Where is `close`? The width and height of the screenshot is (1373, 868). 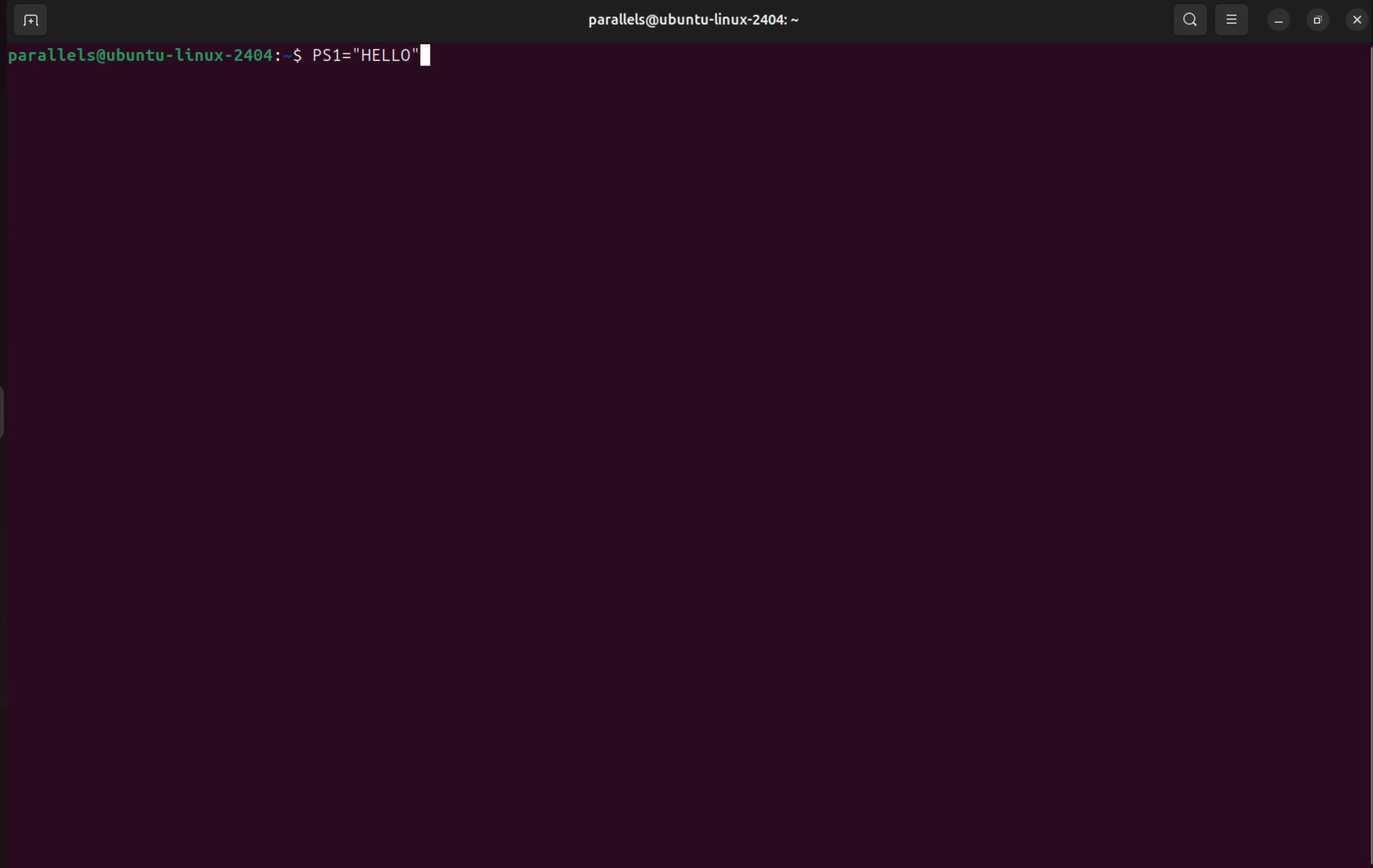 close is located at coordinates (1356, 20).